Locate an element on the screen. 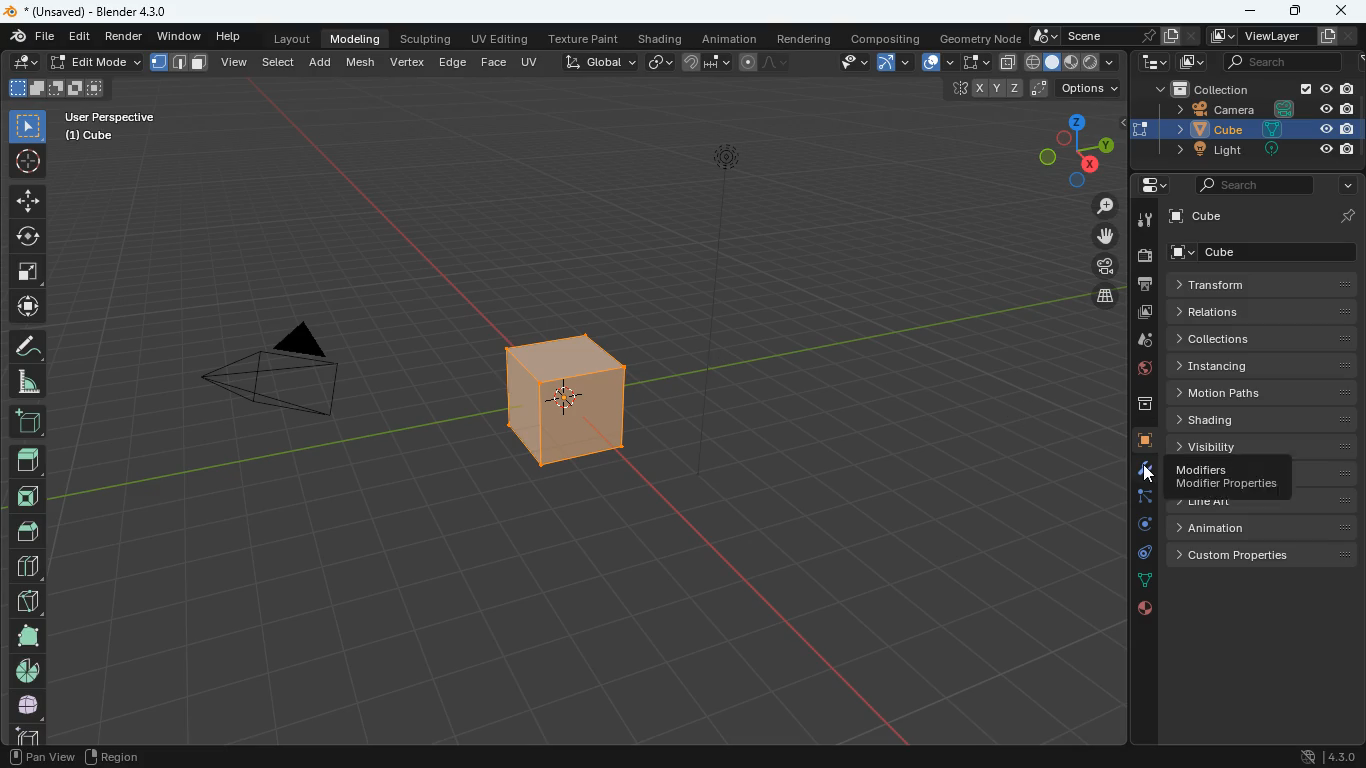 The height and width of the screenshot is (768, 1366). light is located at coordinates (1259, 151).